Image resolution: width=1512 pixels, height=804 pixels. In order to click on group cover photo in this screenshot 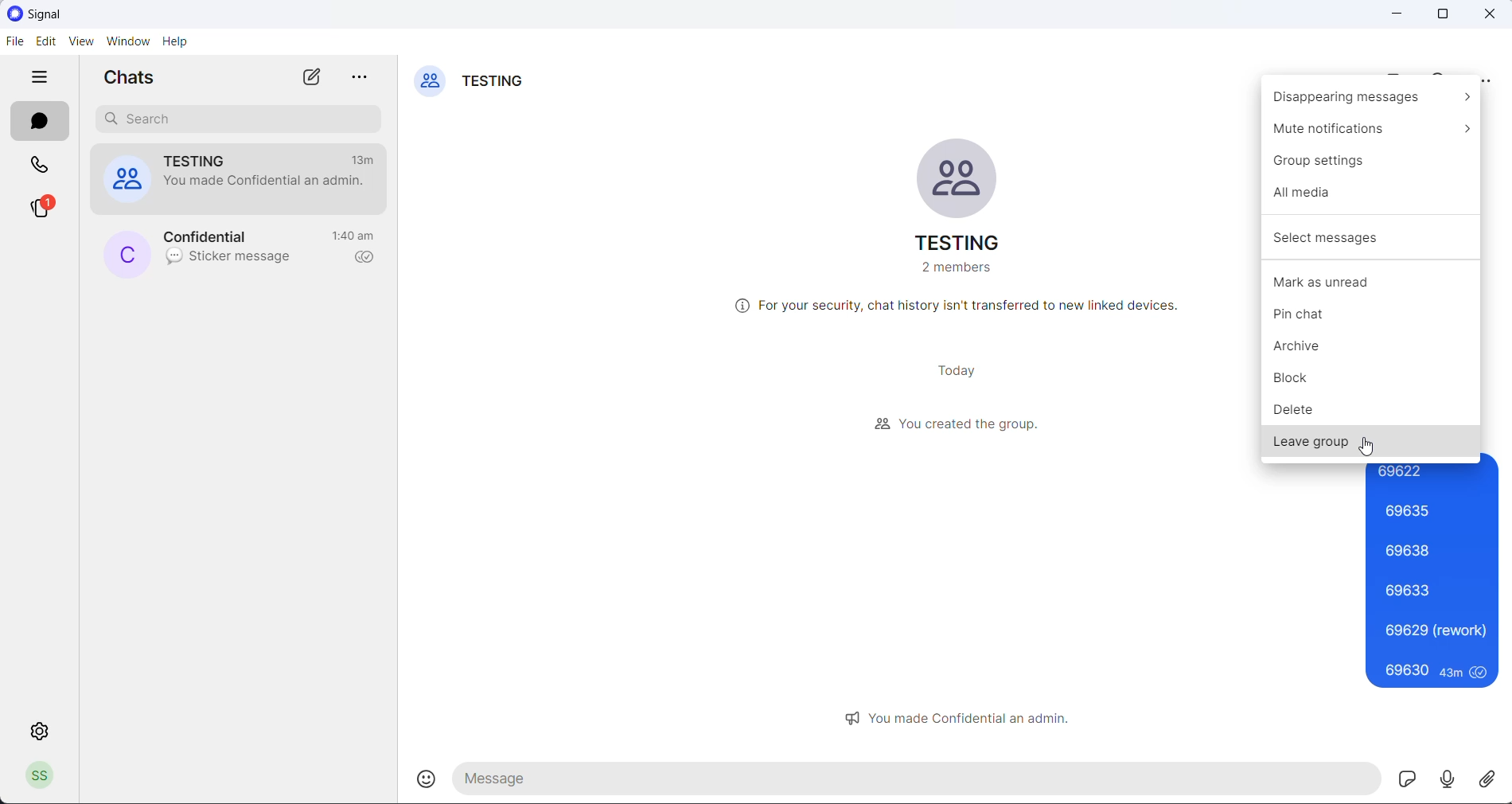, I will do `click(430, 84)`.